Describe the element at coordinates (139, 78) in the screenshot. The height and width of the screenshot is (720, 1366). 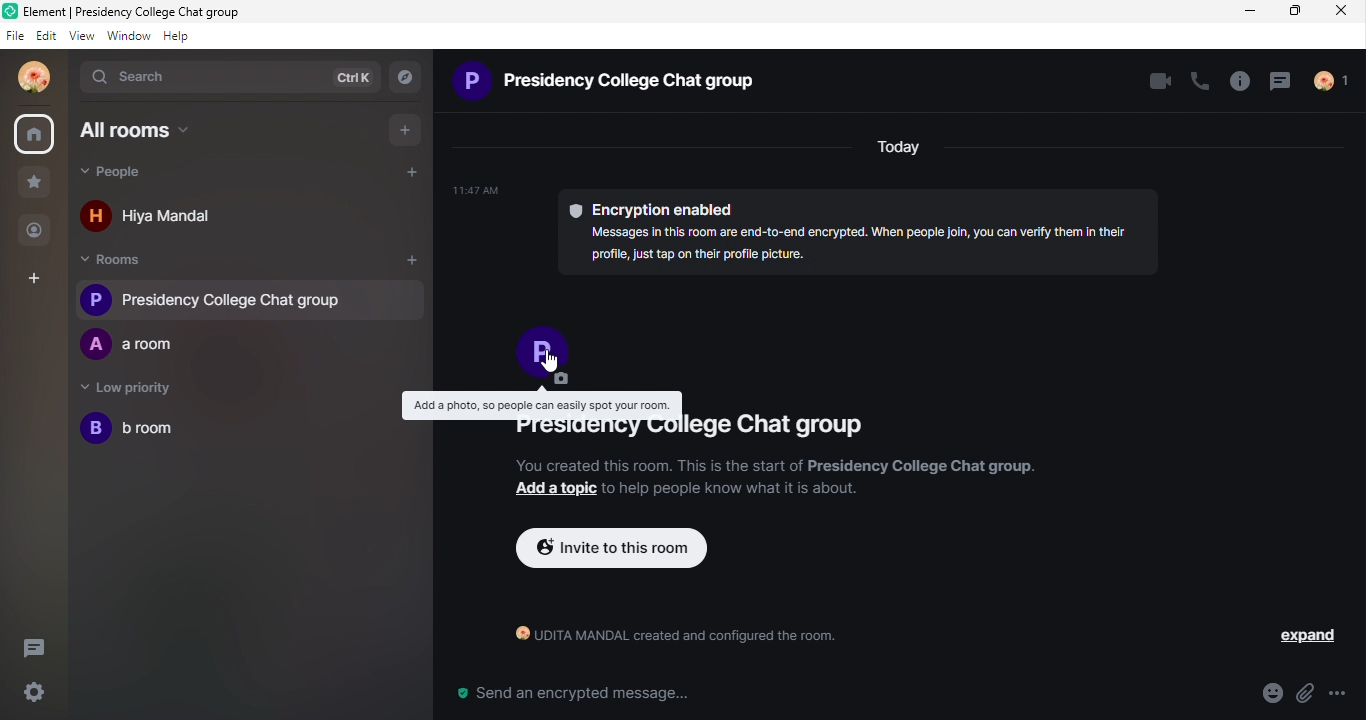
I see `search` at that location.